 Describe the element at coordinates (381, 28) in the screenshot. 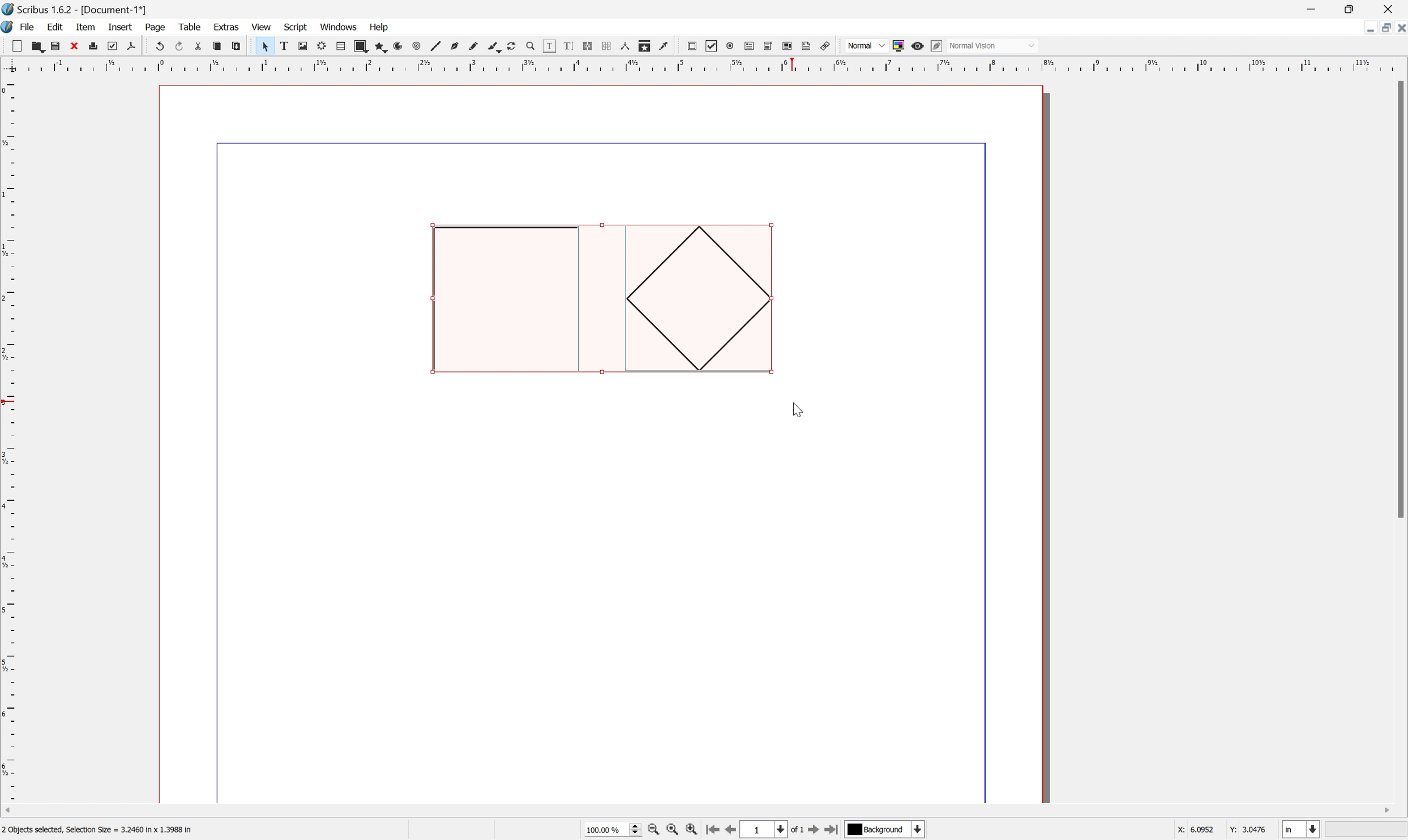

I see `help` at that location.